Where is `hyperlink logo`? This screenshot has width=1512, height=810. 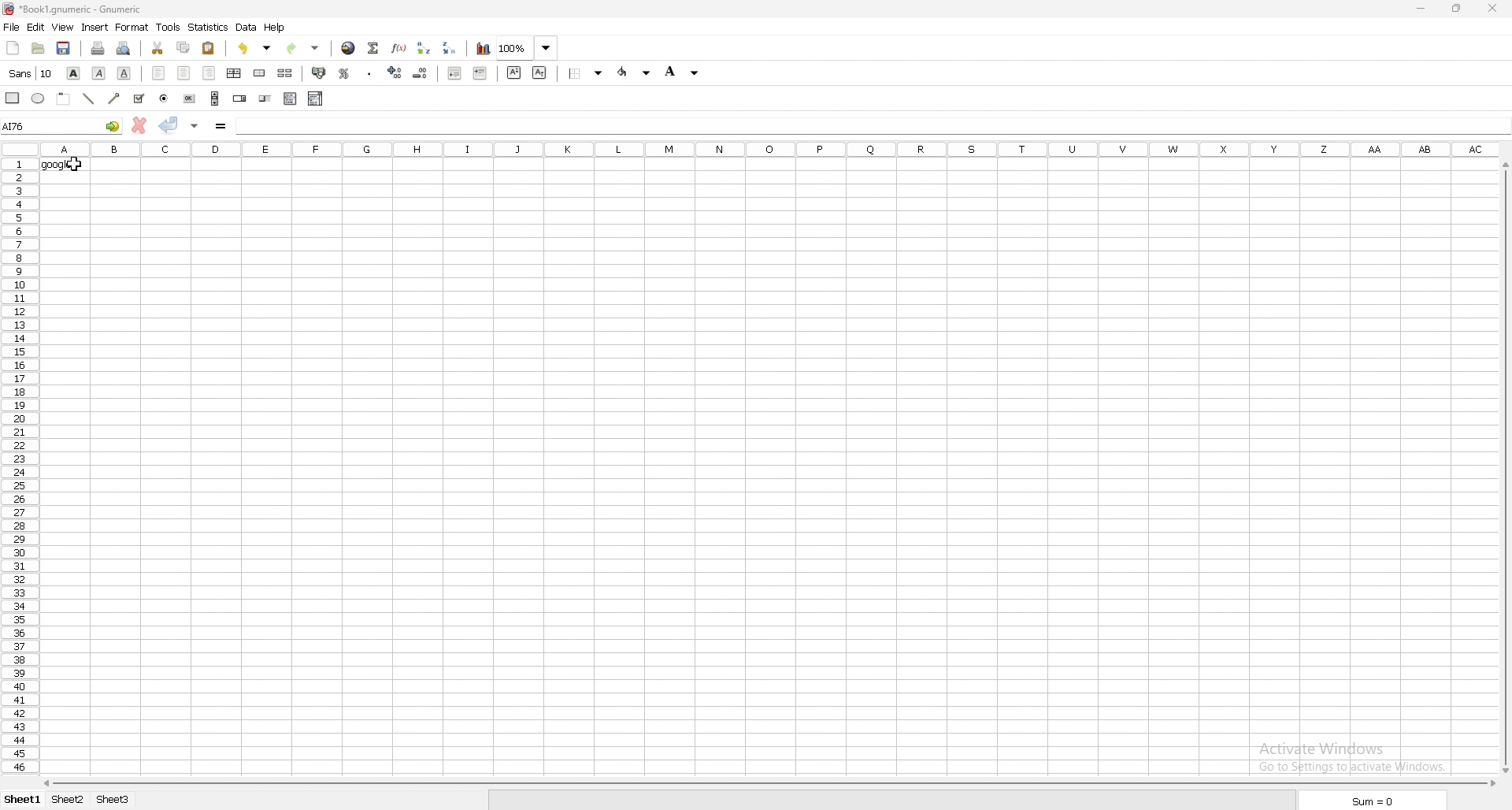 hyperlink logo is located at coordinates (9, 8).